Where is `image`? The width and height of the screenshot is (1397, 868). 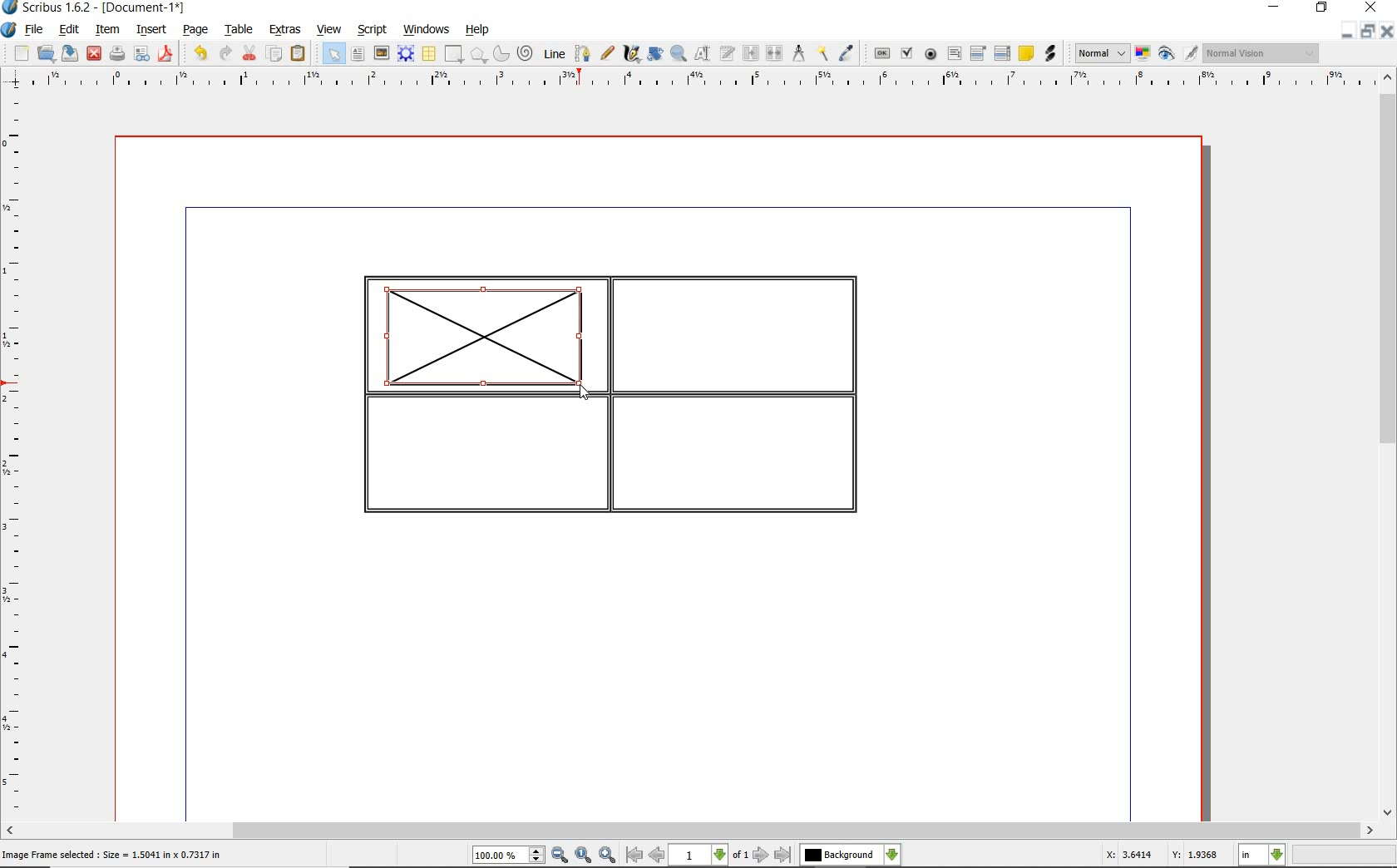
image is located at coordinates (382, 54).